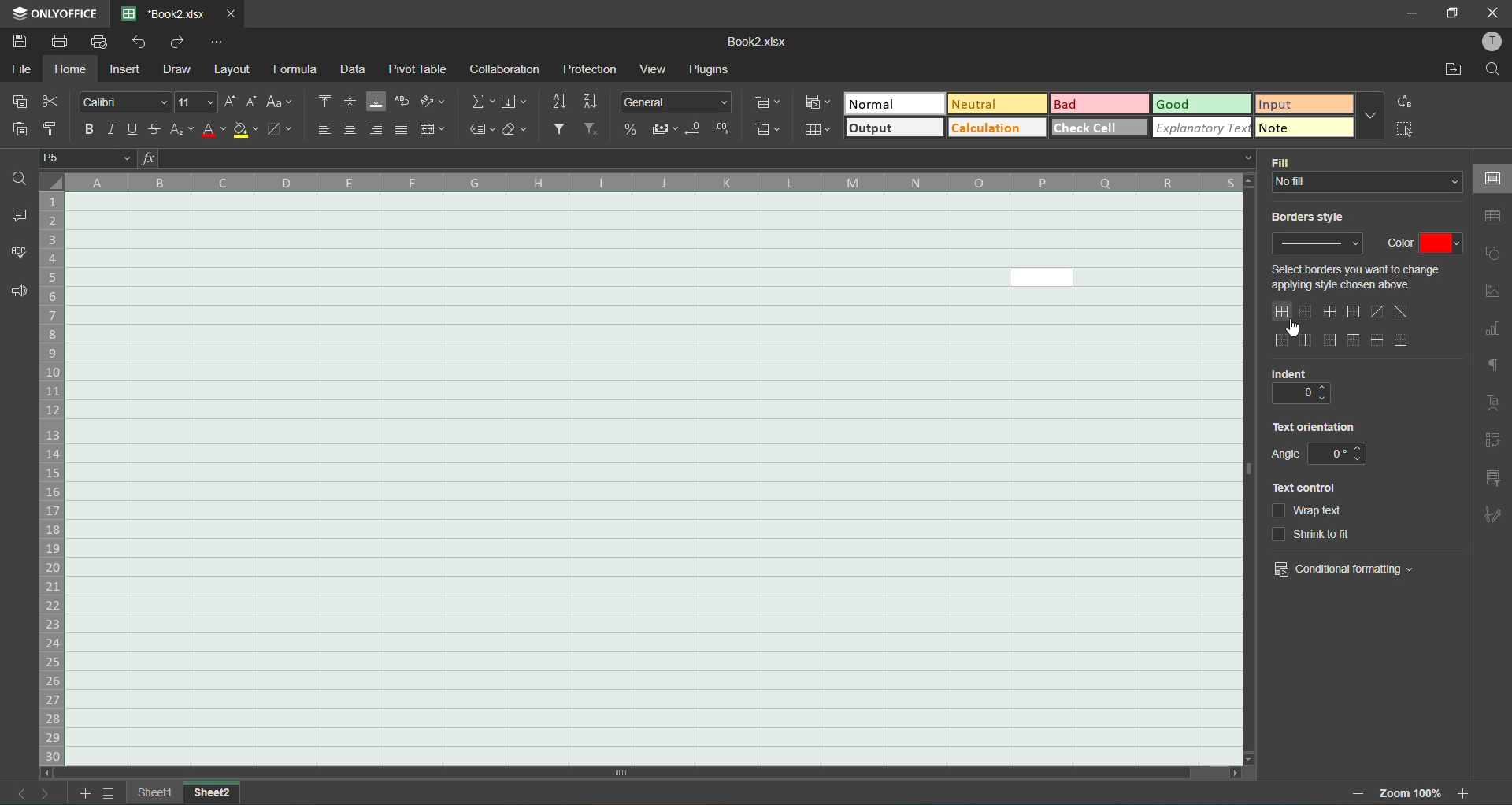 The width and height of the screenshot is (1512, 805). What do you see at coordinates (1451, 70) in the screenshot?
I see `open location` at bounding box center [1451, 70].